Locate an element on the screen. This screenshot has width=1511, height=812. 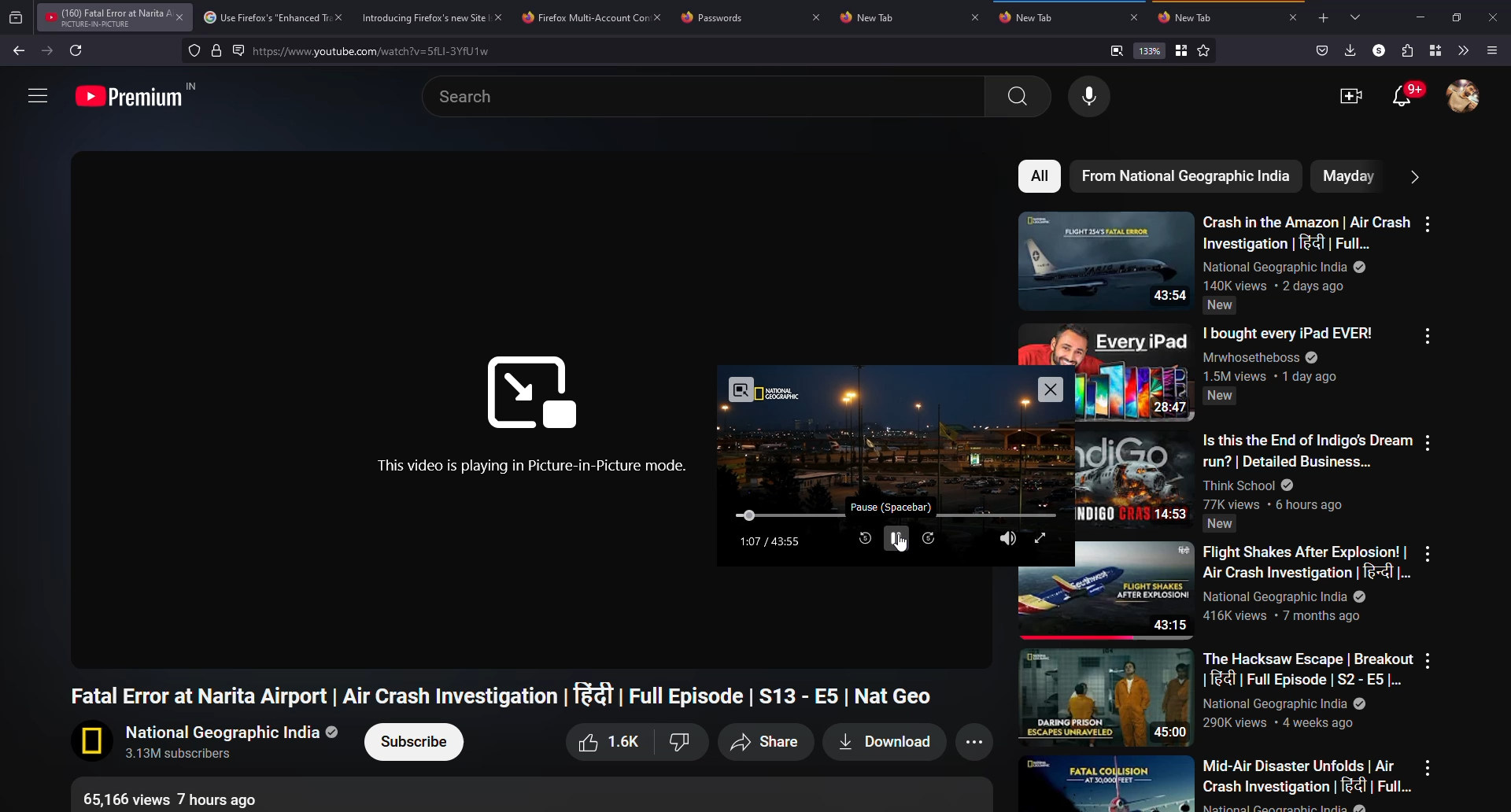
download is located at coordinates (881, 743).